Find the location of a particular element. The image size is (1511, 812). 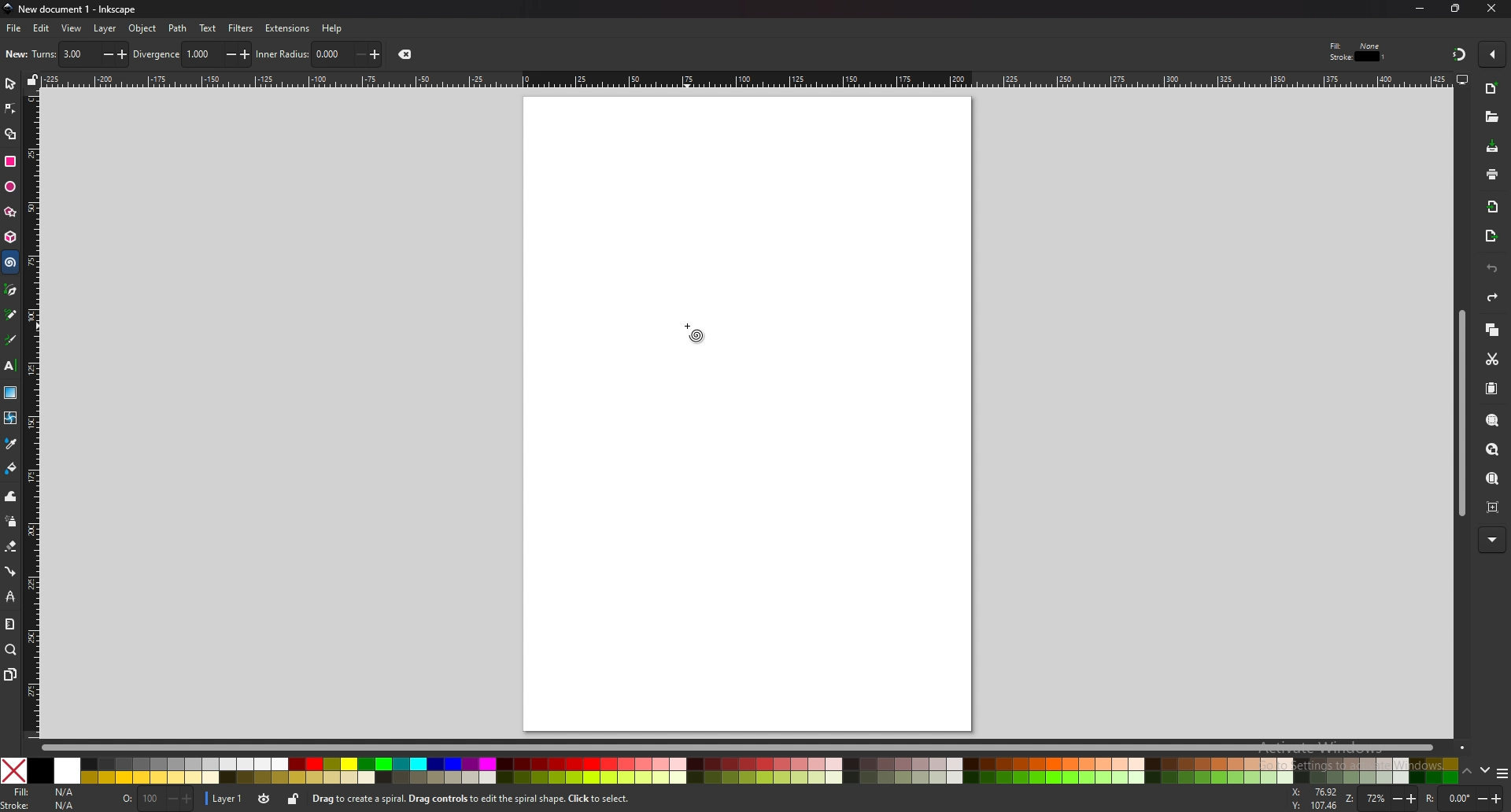

measure is located at coordinates (10, 624).